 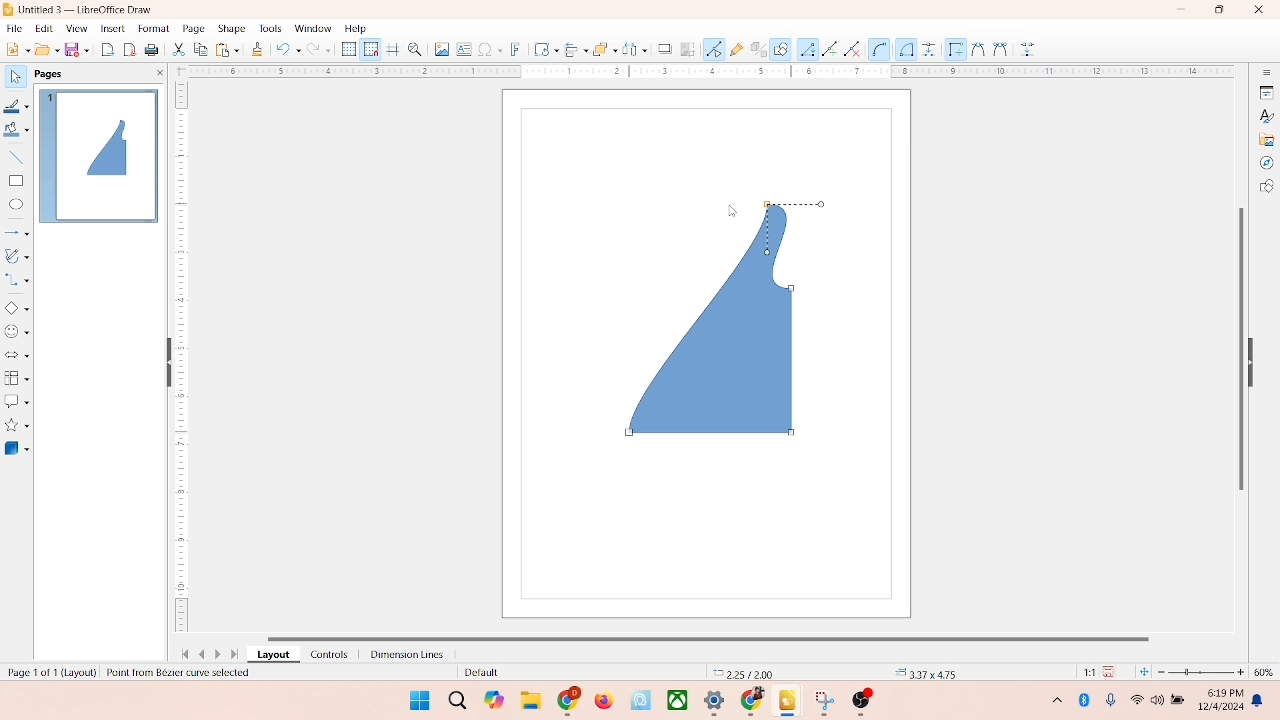 I want to click on ellipse, so click(x=16, y=205).